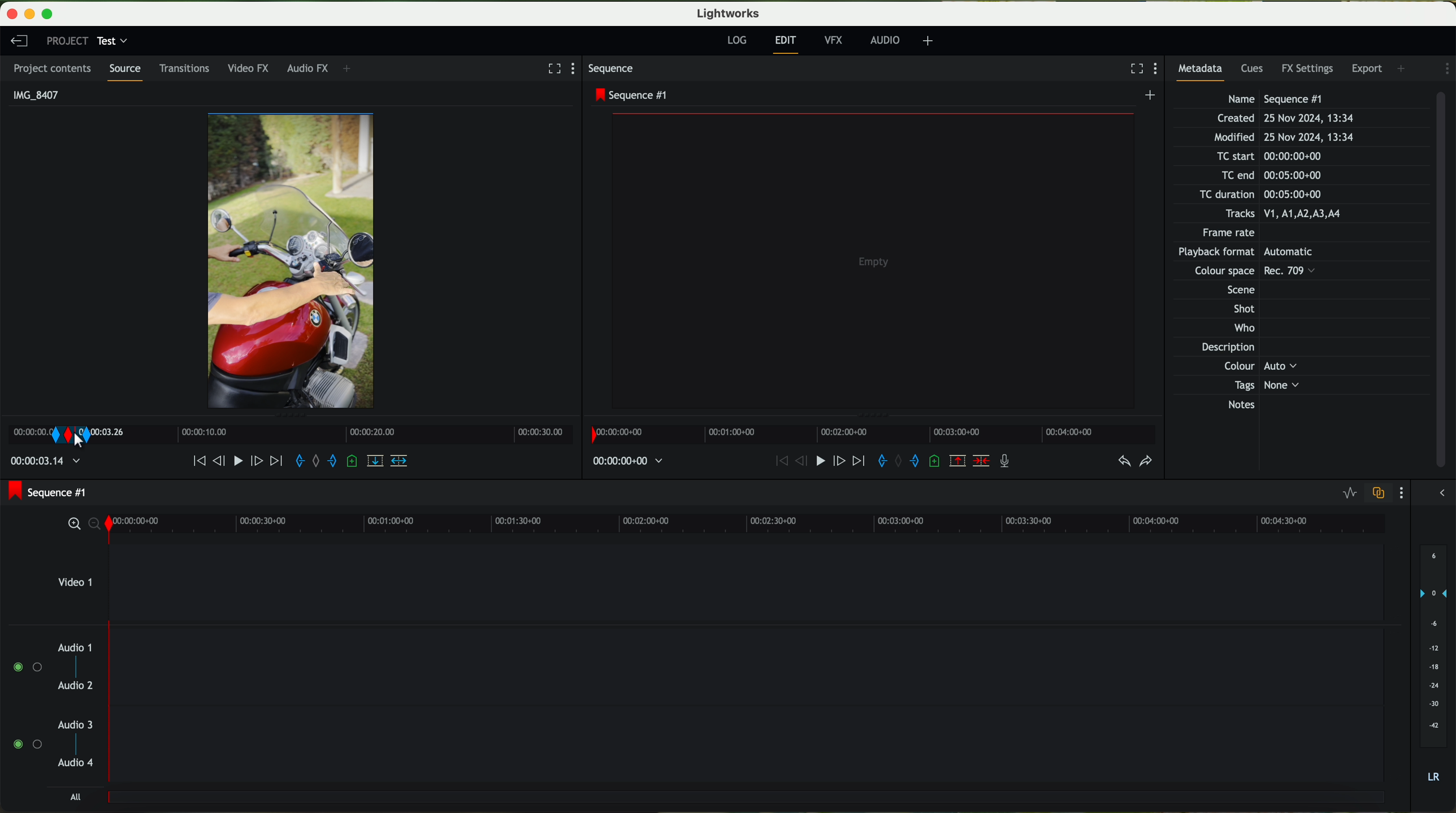 This screenshot has width=1456, height=813. What do you see at coordinates (1445, 68) in the screenshot?
I see `show settings menu` at bounding box center [1445, 68].